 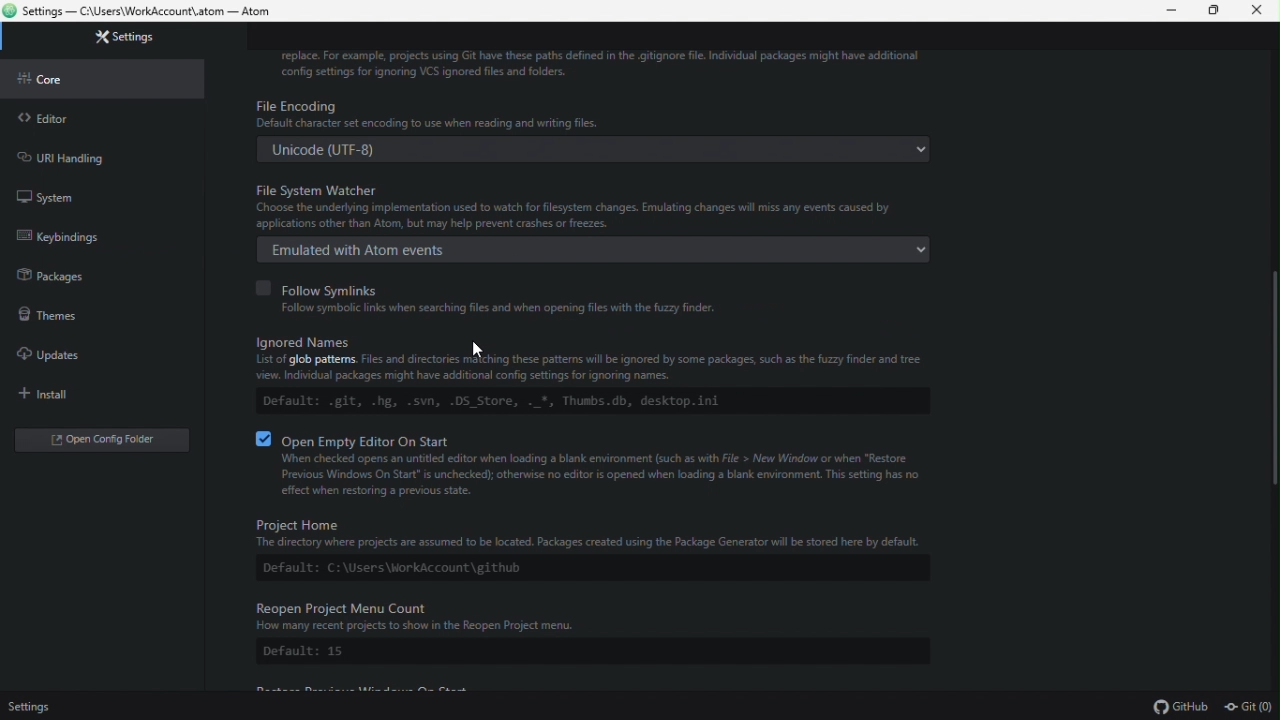 What do you see at coordinates (587, 439) in the screenshot?
I see `© Open Empty Editor On Start` at bounding box center [587, 439].